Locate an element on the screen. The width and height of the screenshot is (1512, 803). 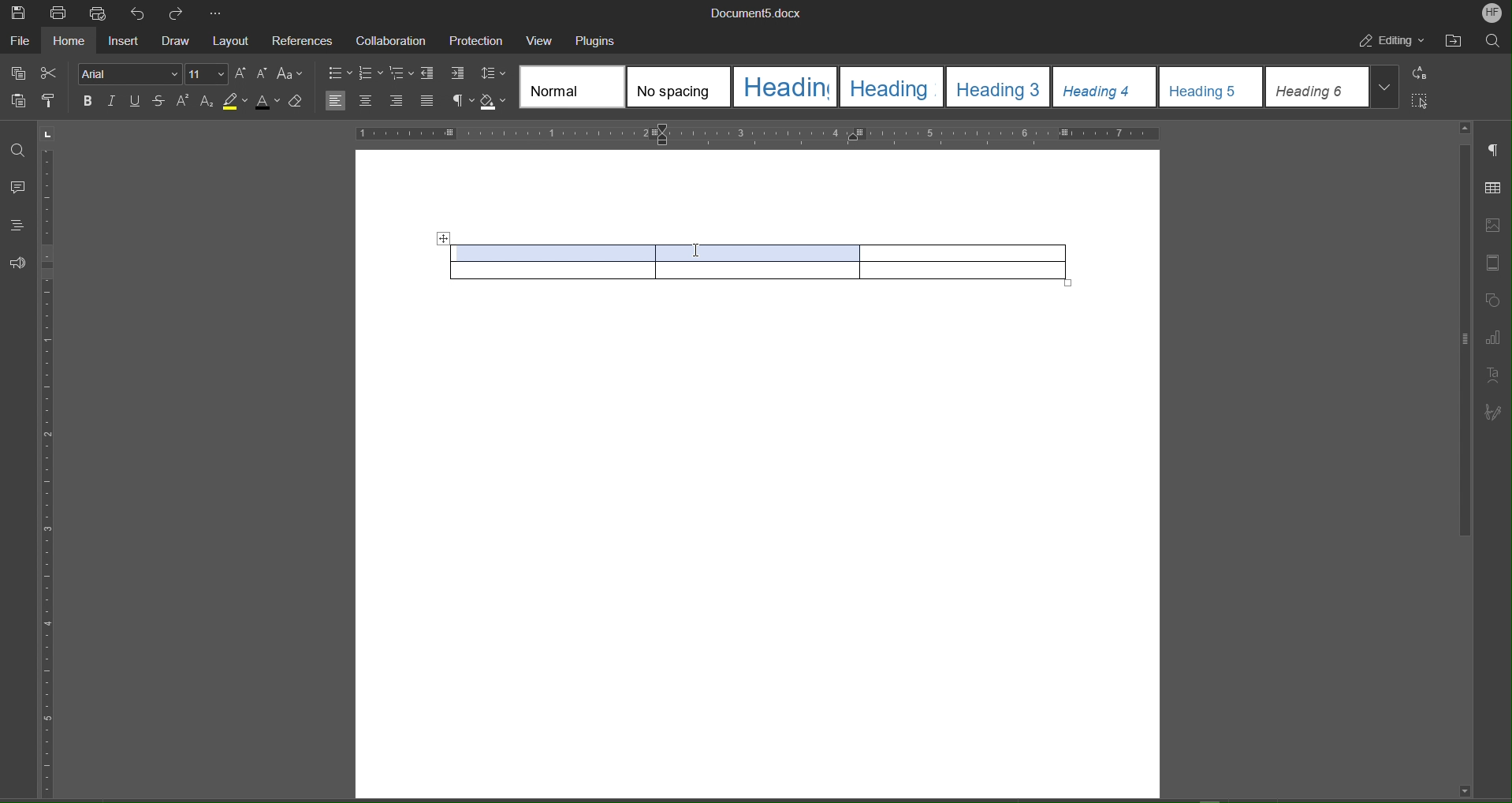
scroll up is located at coordinates (1465, 128).